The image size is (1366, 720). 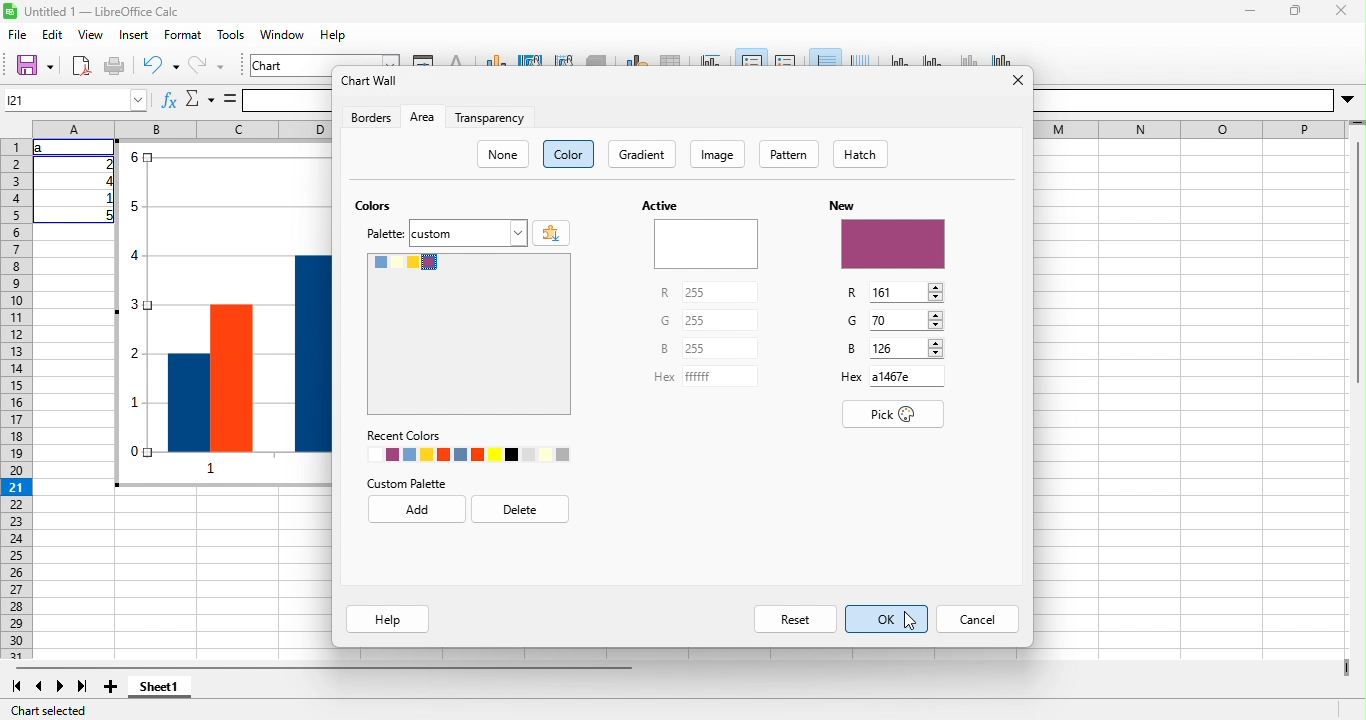 I want to click on Increase/Decrease G value, so click(x=935, y=320).